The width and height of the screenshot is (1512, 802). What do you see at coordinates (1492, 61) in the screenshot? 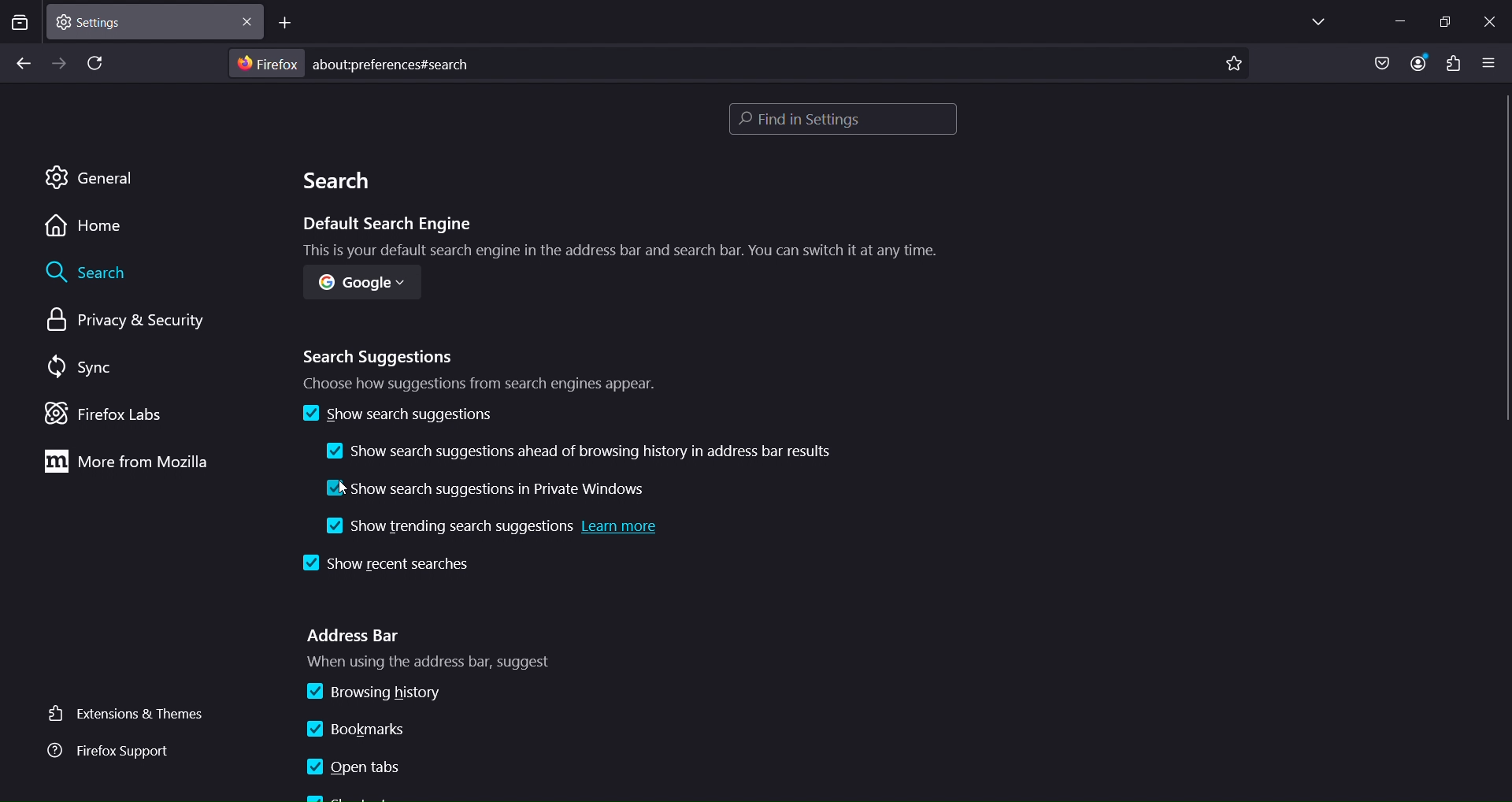
I see `open application menu` at bounding box center [1492, 61].